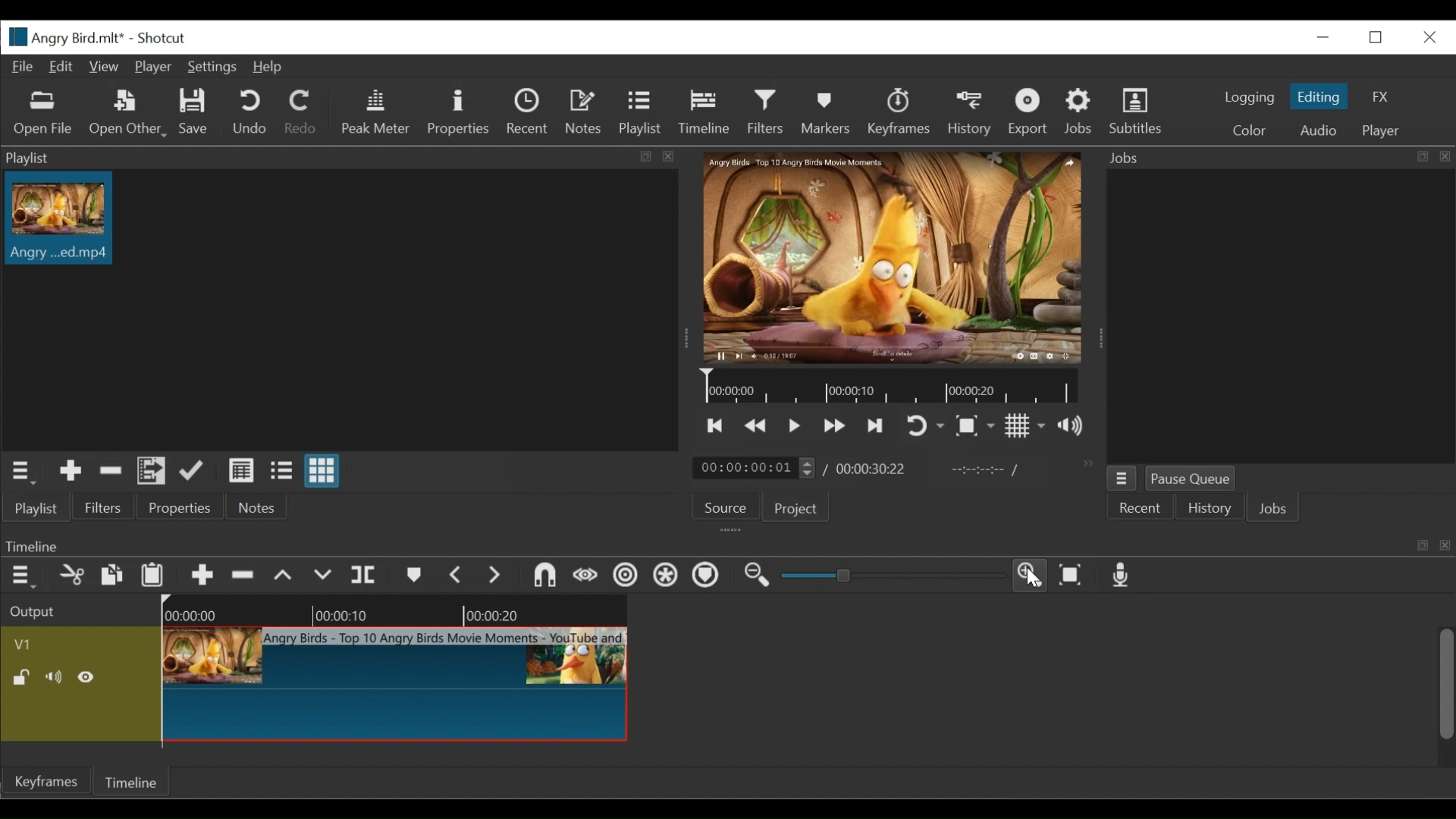 The height and width of the screenshot is (819, 1456). Describe the element at coordinates (71, 574) in the screenshot. I see `Cut` at that location.